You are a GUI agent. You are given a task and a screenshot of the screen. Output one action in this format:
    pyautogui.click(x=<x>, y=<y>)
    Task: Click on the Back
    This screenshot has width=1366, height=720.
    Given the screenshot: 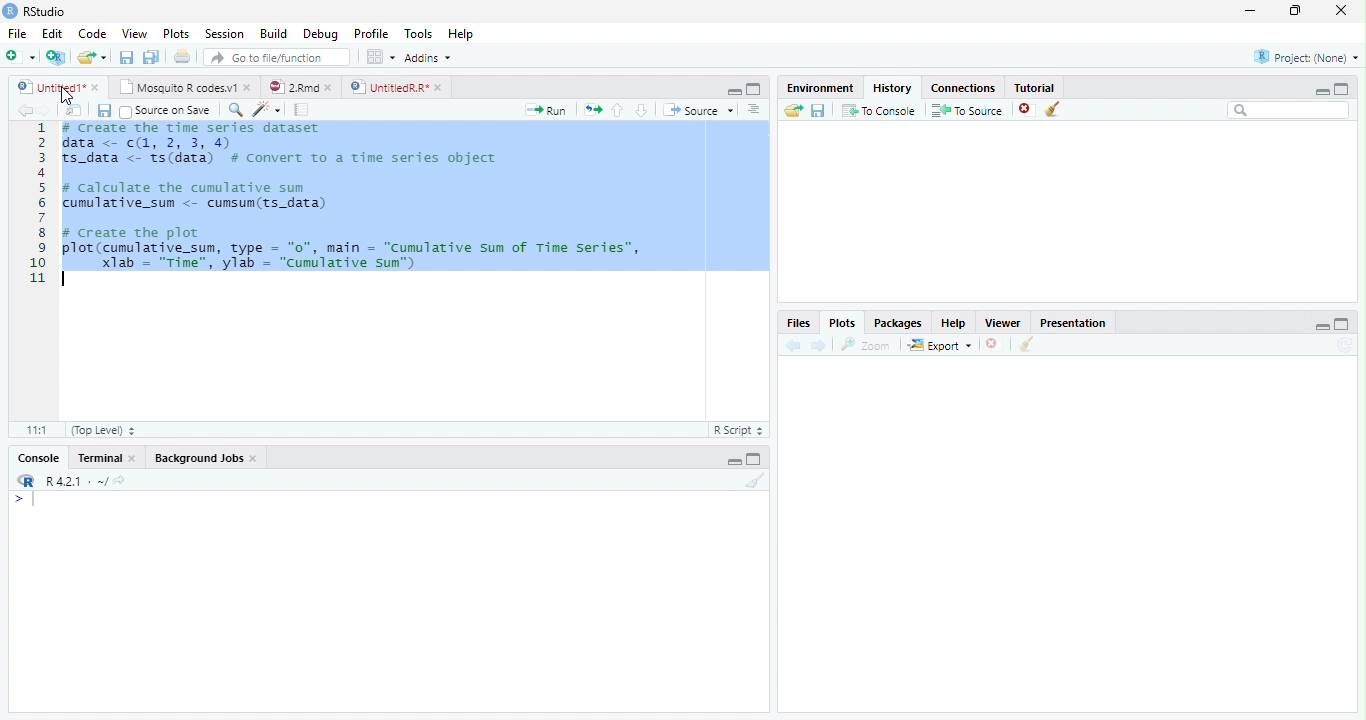 What is the action you would take?
    pyautogui.click(x=23, y=111)
    